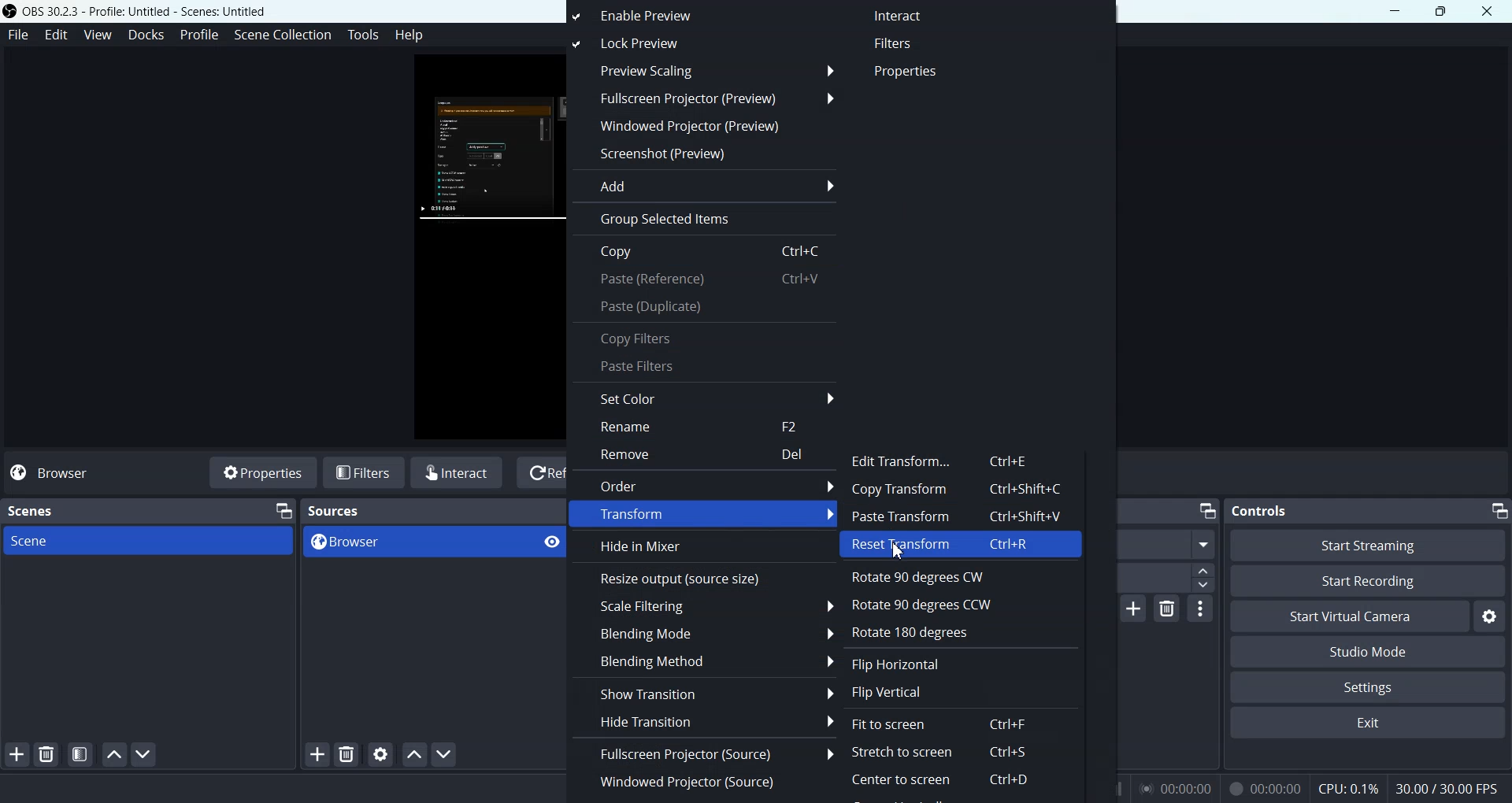 The image size is (1512, 803). Describe the element at coordinates (346, 754) in the screenshot. I see `Remove selected Source` at that location.